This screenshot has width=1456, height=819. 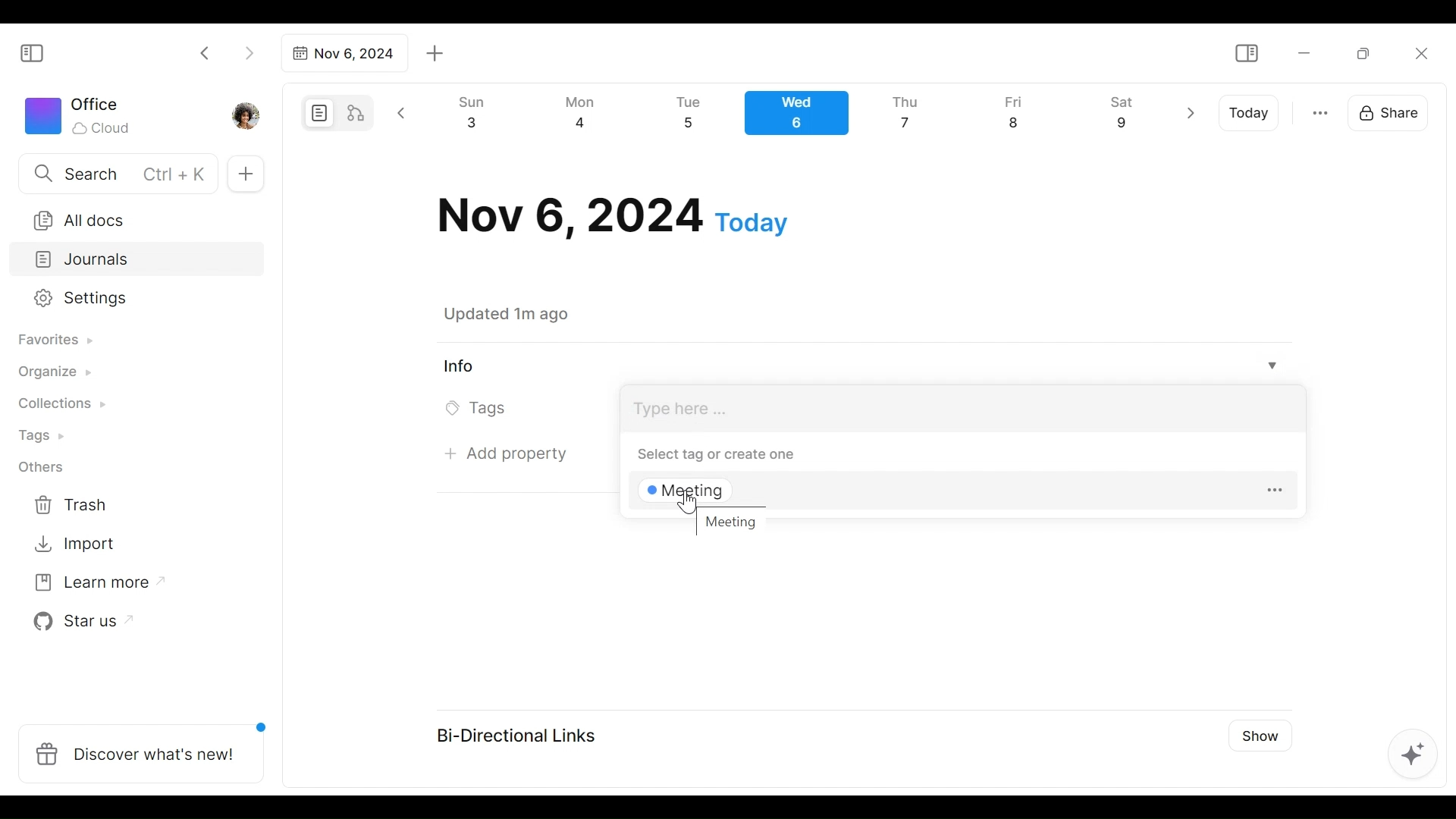 What do you see at coordinates (1413, 756) in the screenshot?
I see `AFFiNE AI` at bounding box center [1413, 756].